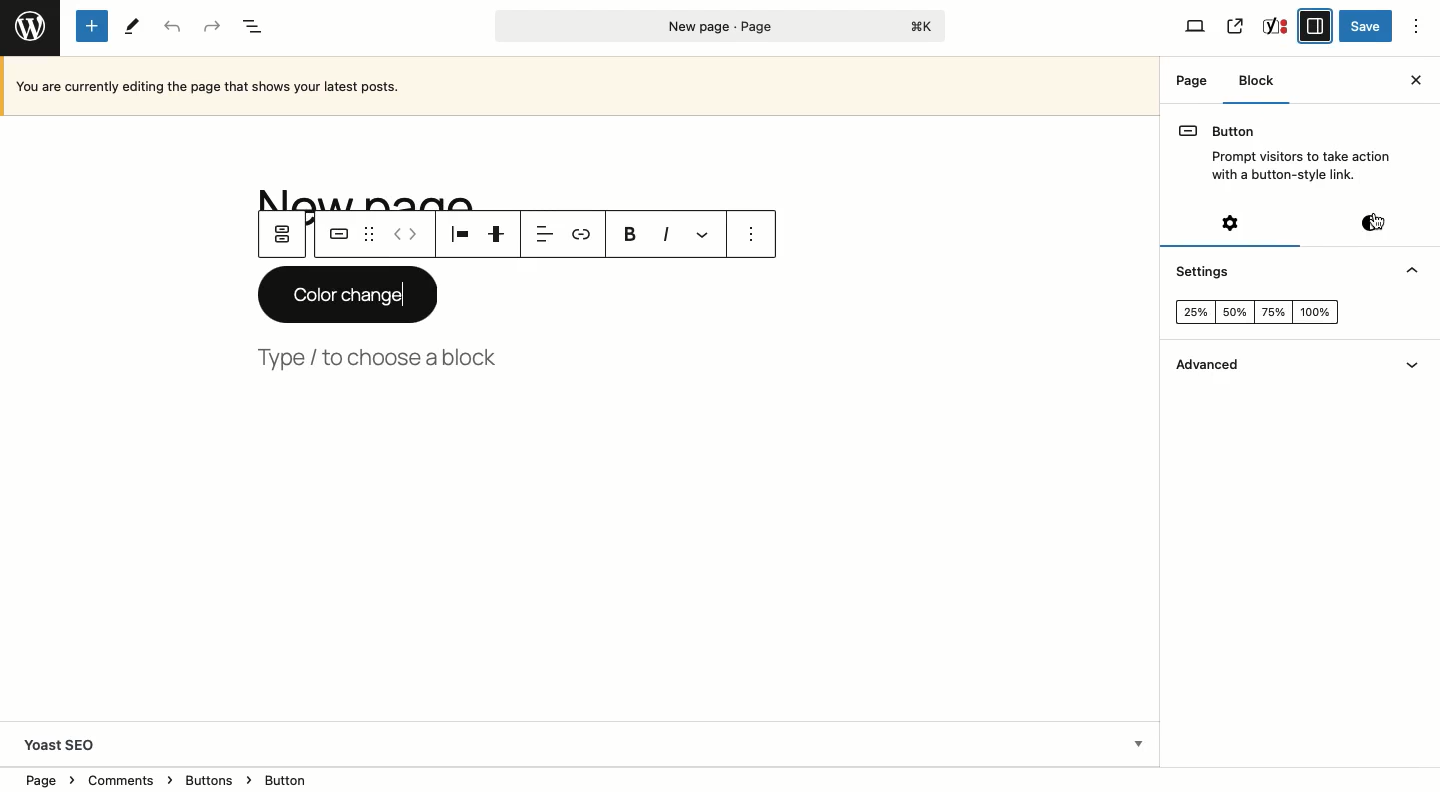 The height and width of the screenshot is (792, 1440). What do you see at coordinates (539, 235) in the screenshot?
I see `Align` at bounding box center [539, 235].